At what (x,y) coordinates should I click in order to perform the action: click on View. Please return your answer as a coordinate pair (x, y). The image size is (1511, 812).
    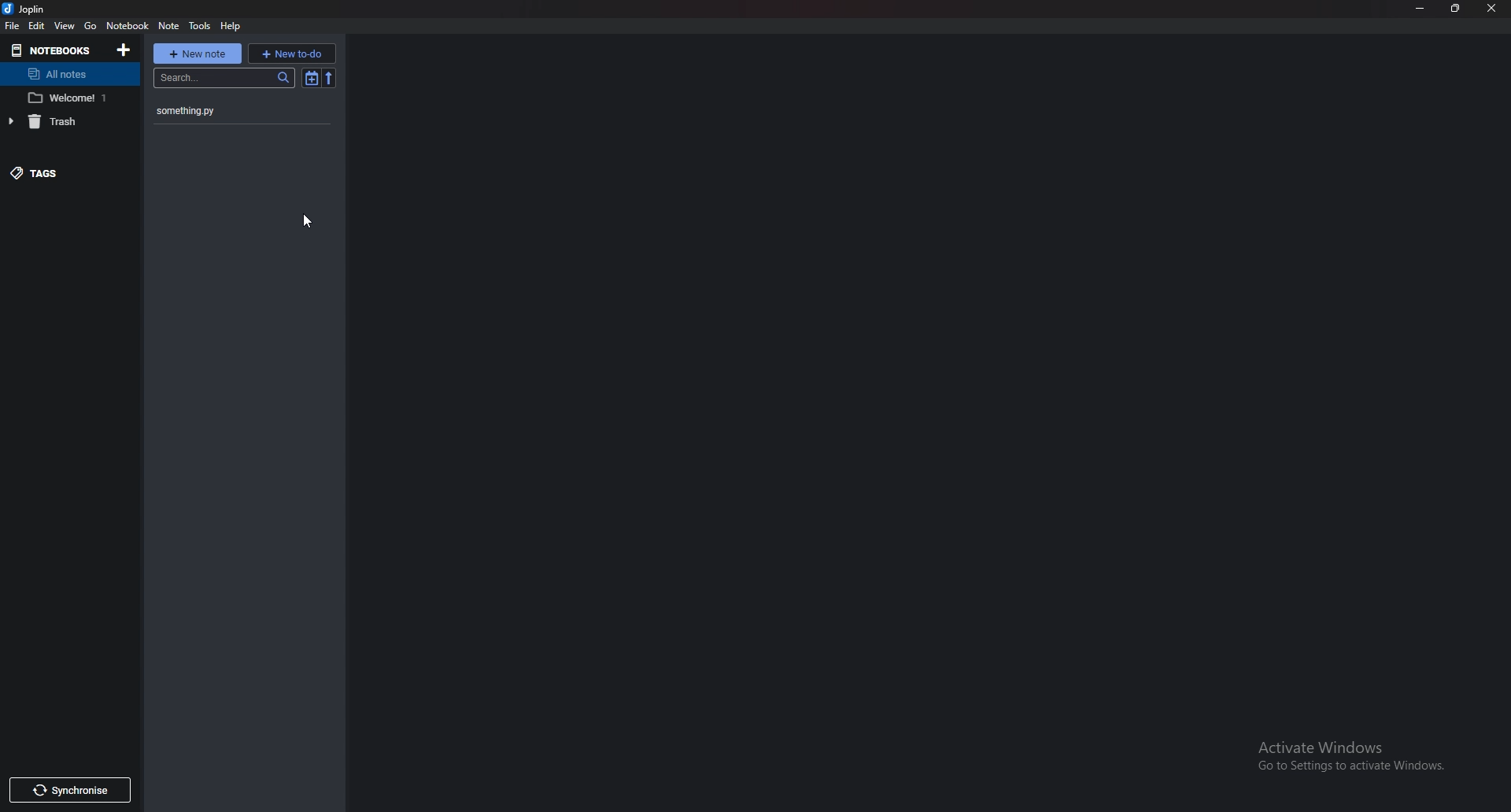
    Looking at the image, I should click on (65, 26).